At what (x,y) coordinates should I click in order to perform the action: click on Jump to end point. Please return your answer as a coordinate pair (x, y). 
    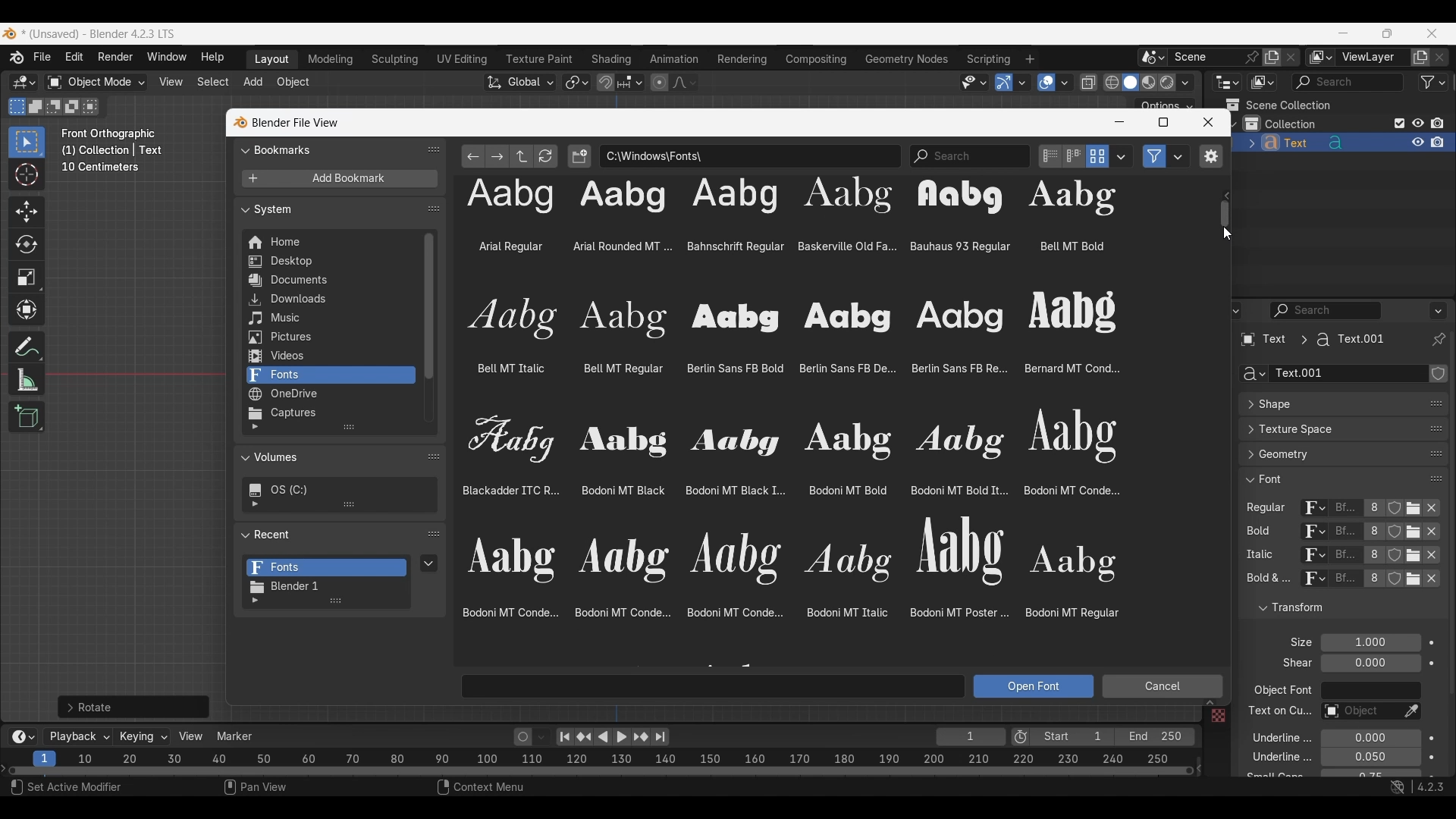
    Looking at the image, I should click on (661, 737).